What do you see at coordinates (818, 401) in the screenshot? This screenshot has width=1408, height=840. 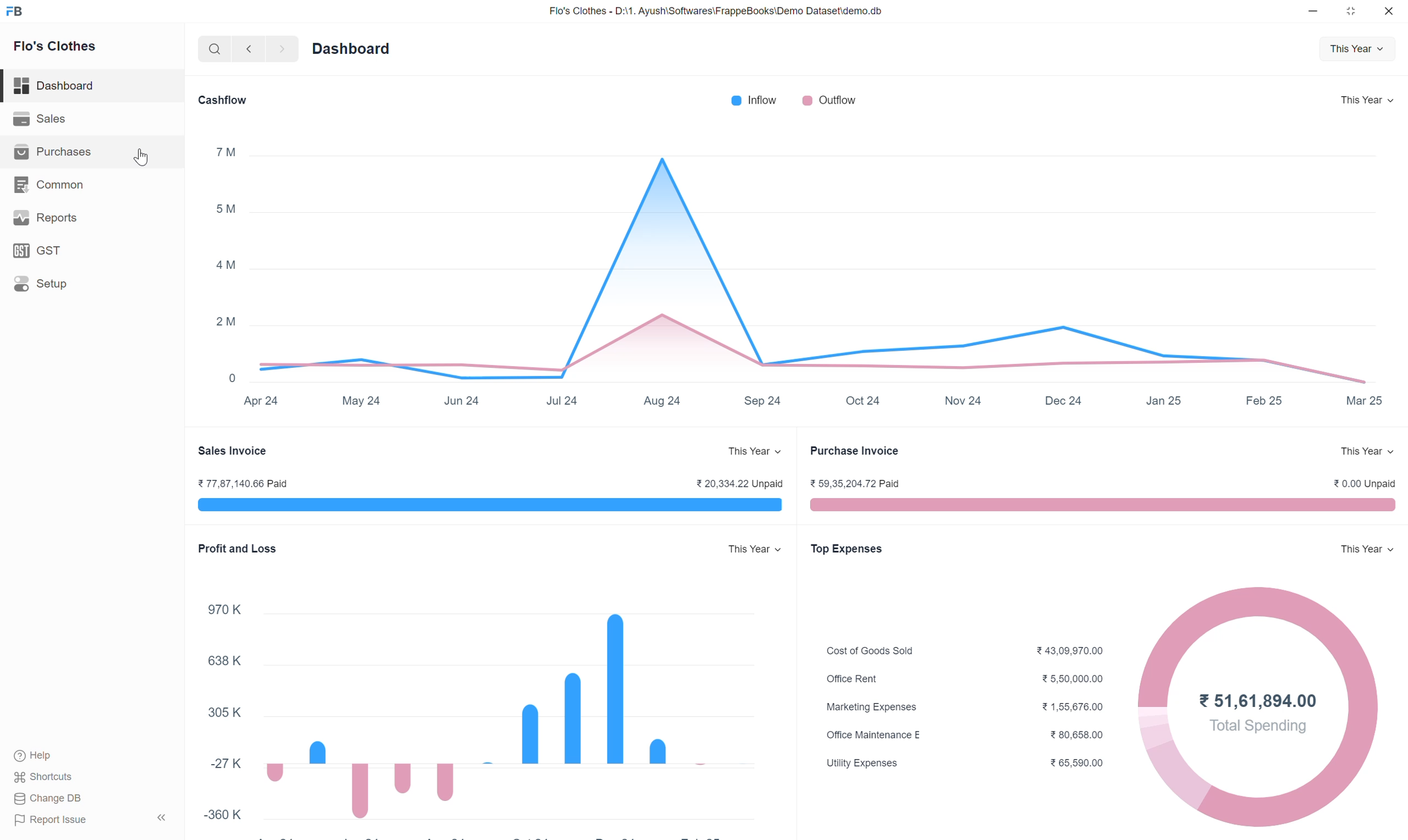 I see `Apr 24 May 24 Jun 24 Jul 24 Aug 24 Sep 24 Oct 24 Nov 24 Dec 24 Jan 25 Feb 25 Mar 25` at bounding box center [818, 401].